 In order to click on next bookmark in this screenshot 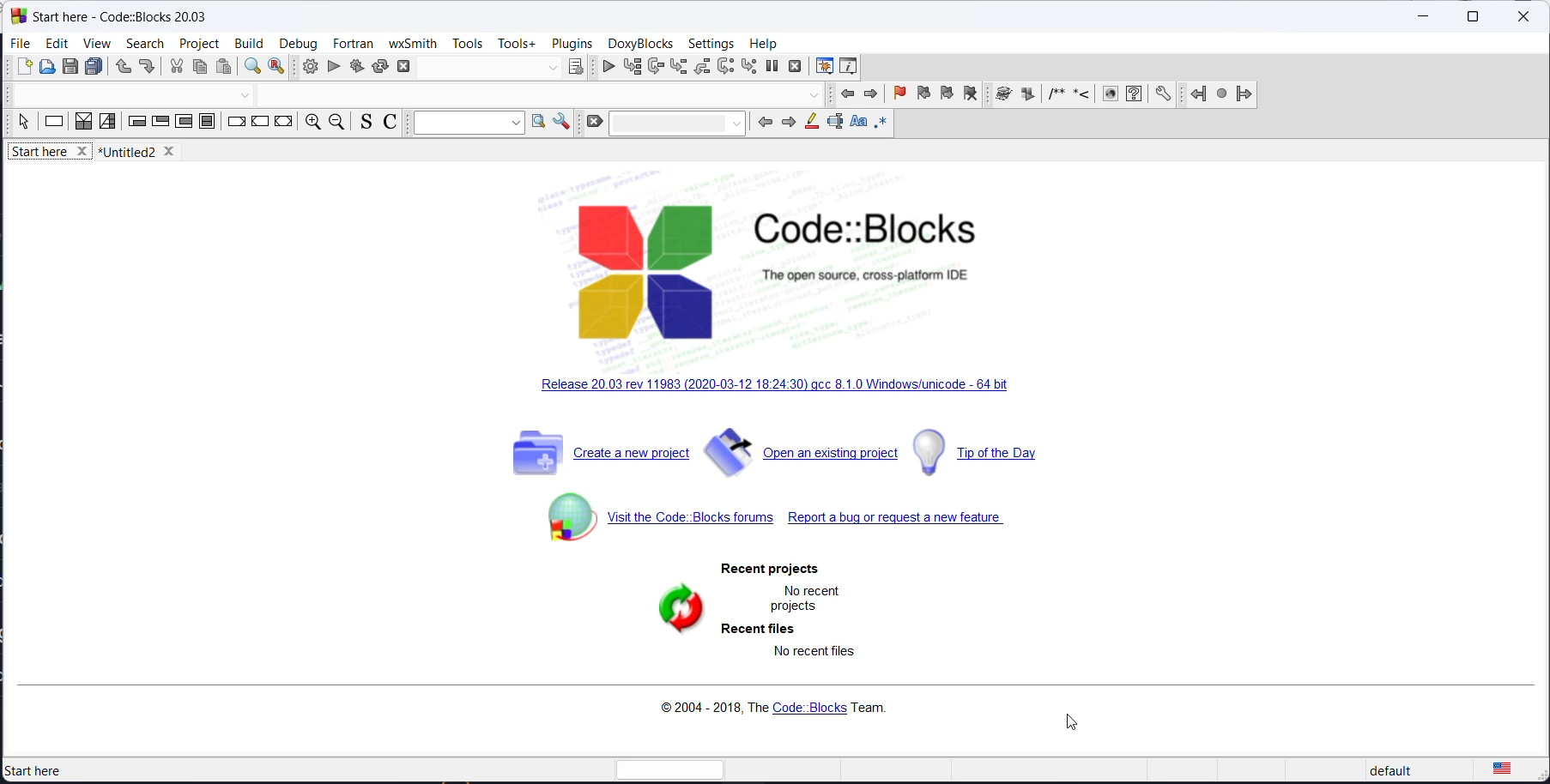, I will do `click(946, 97)`.